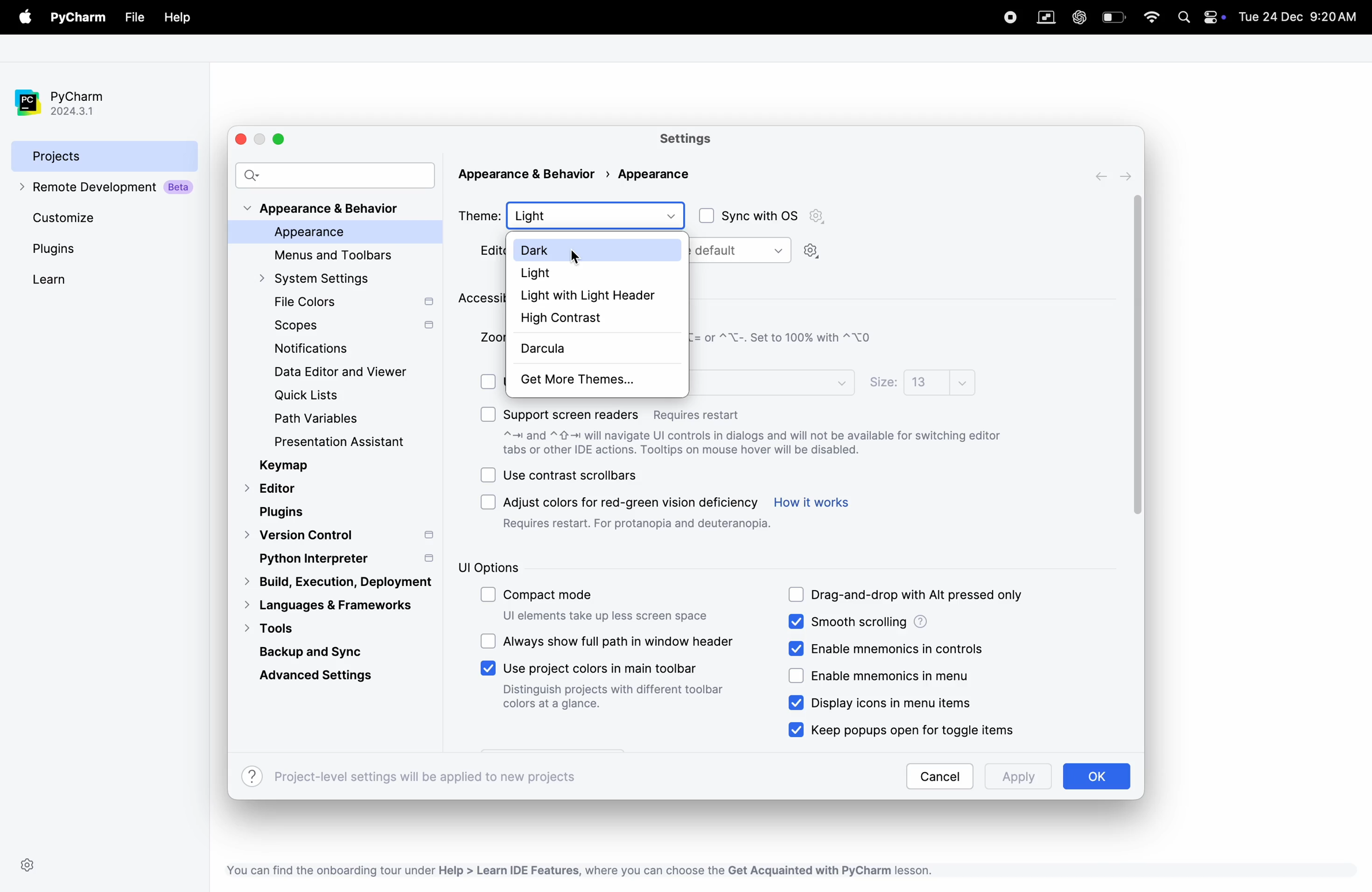 The width and height of the screenshot is (1372, 892). Describe the element at coordinates (488, 641) in the screenshot. I see `check box` at that location.